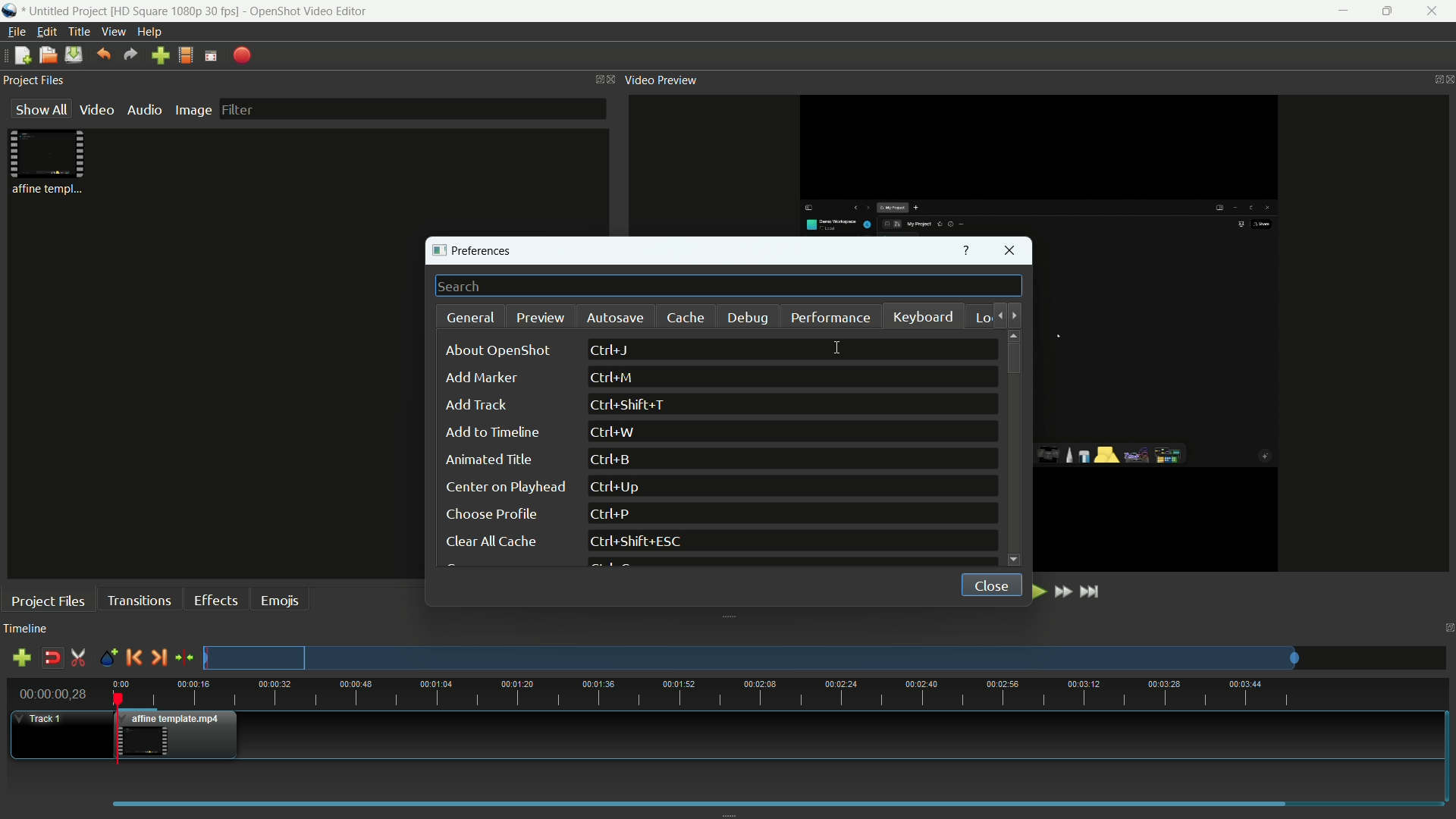 The height and width of the screenshot is (819, 1456). I want to click on cache, so click(686, 318).